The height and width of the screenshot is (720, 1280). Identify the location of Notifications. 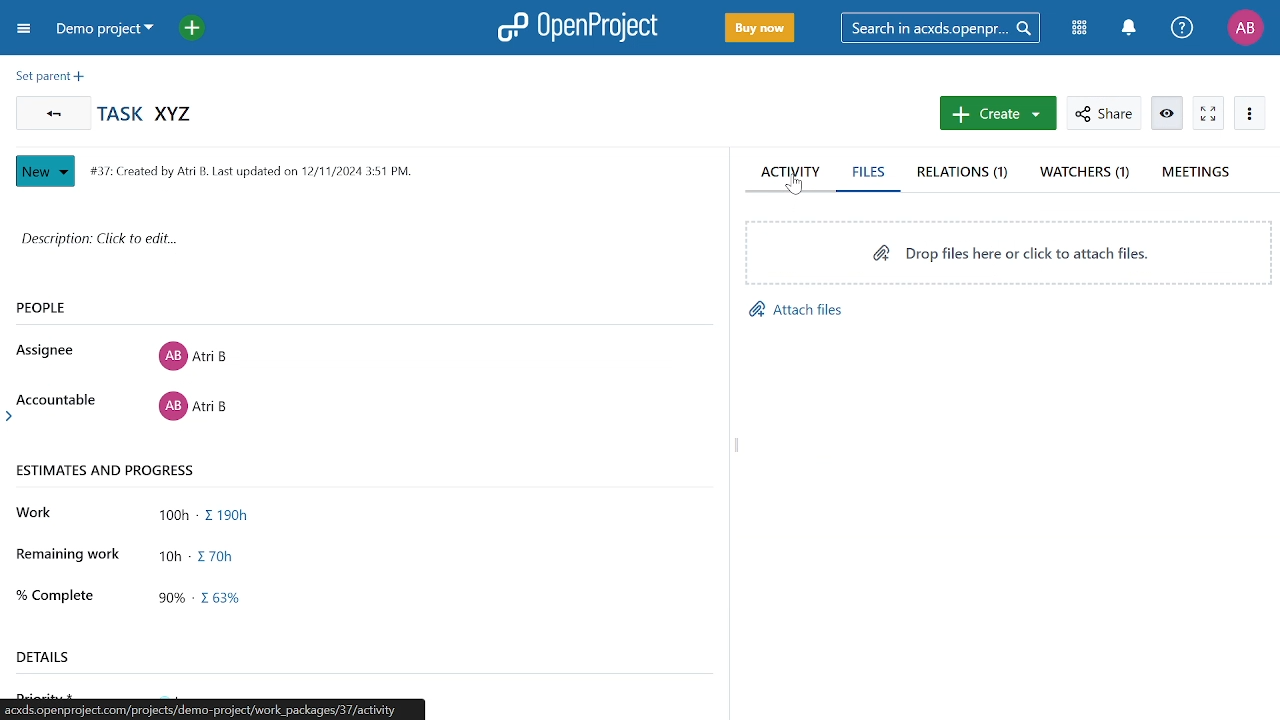
(1130, 29).